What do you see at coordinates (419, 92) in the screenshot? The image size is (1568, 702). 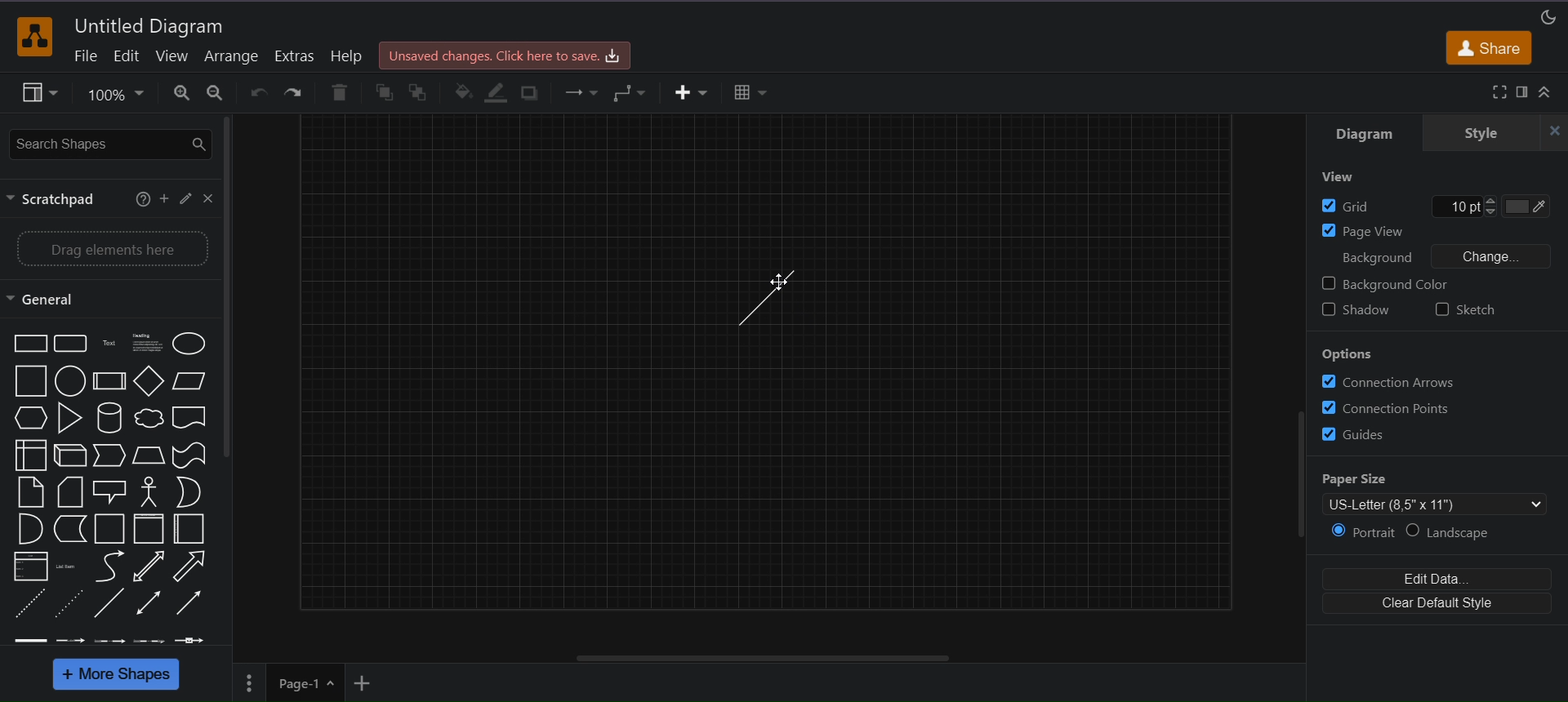 I see `to back` at bounding box center [419, 92].